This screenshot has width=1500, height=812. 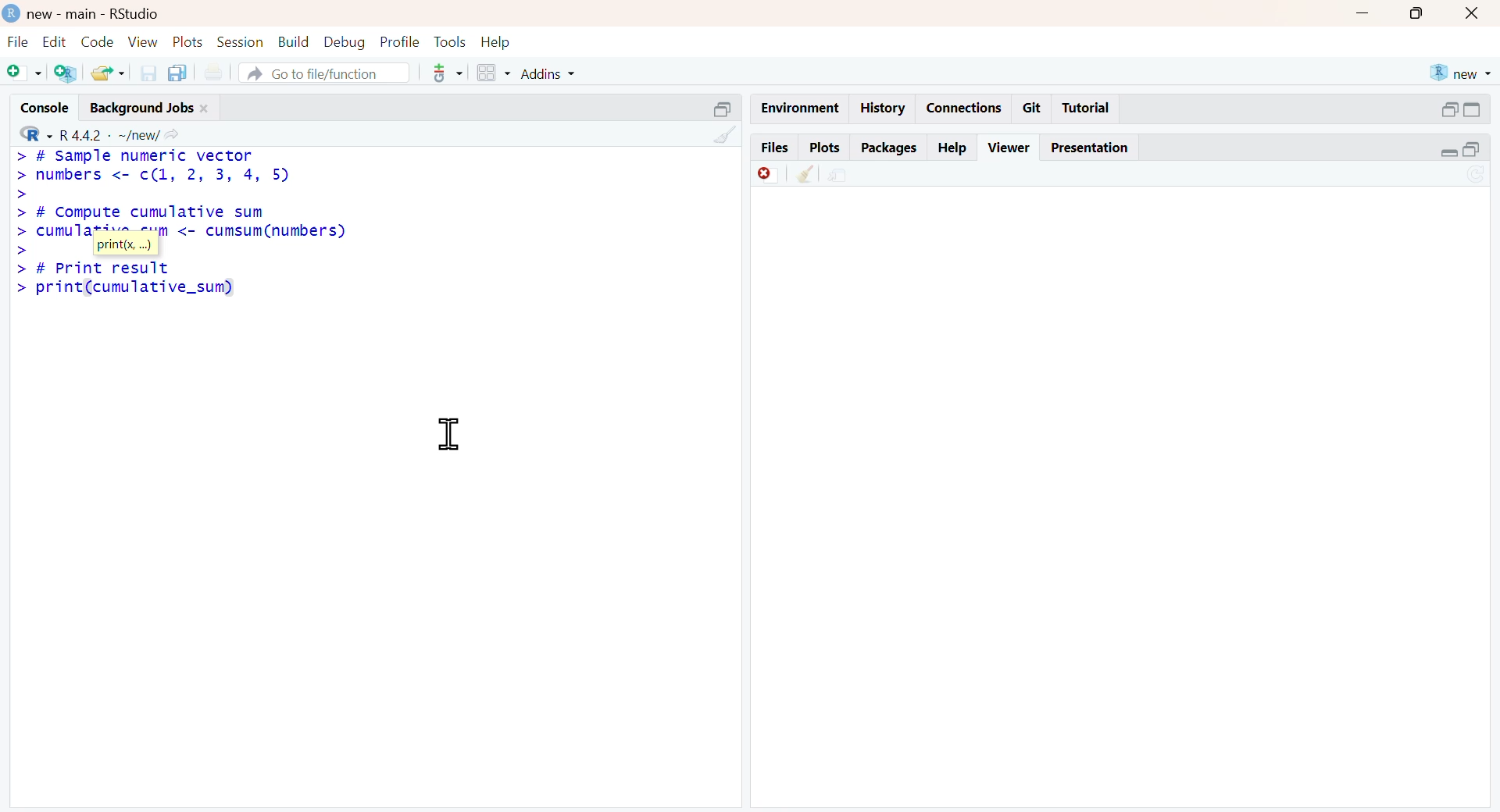 What do you see at coordinates (1031, 109) in the screenshot?
I see `Git` at bounding box center [1031, 109].